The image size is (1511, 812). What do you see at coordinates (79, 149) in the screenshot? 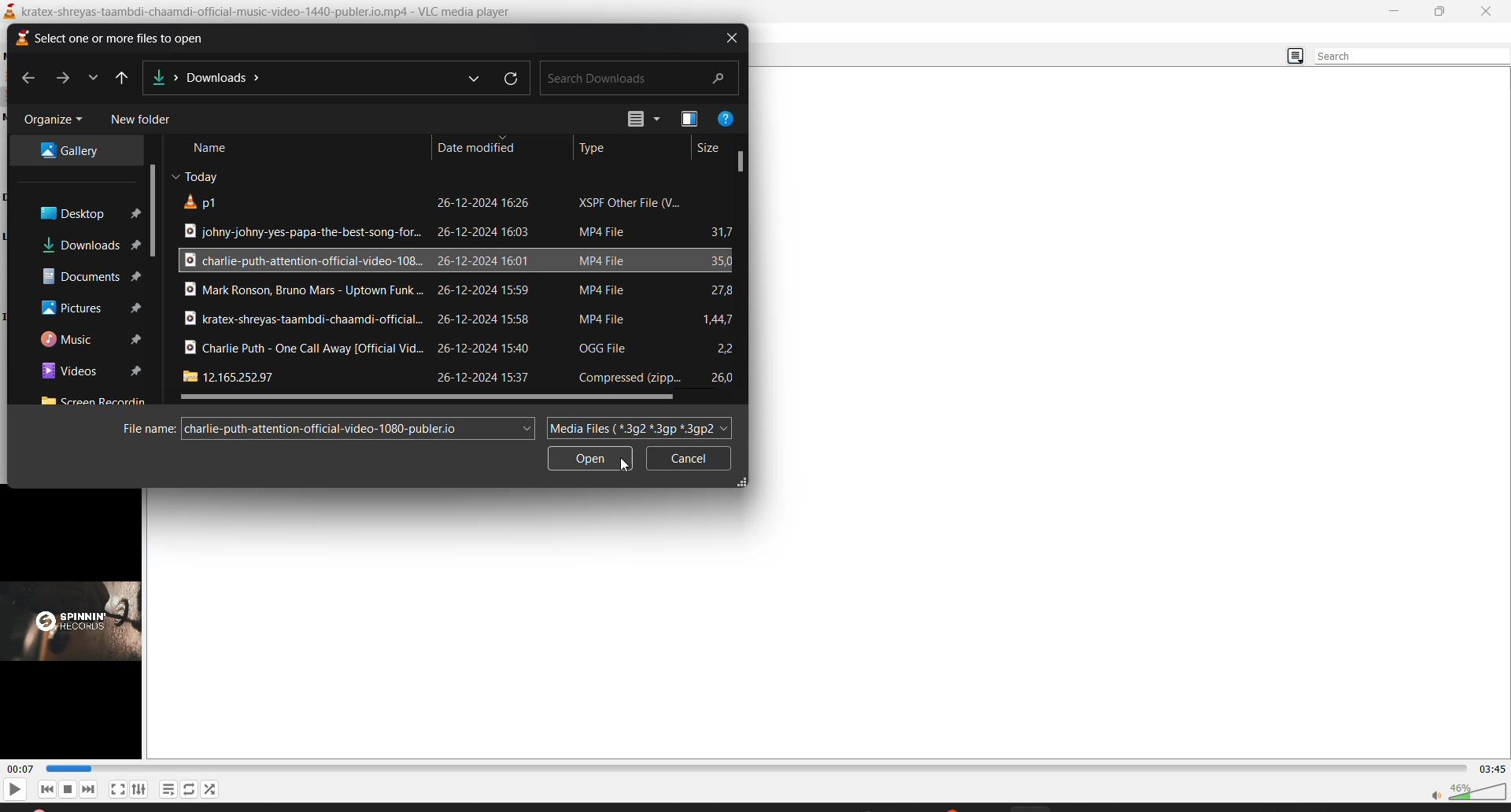
I see `gallery` at bounding box center [79, 149].